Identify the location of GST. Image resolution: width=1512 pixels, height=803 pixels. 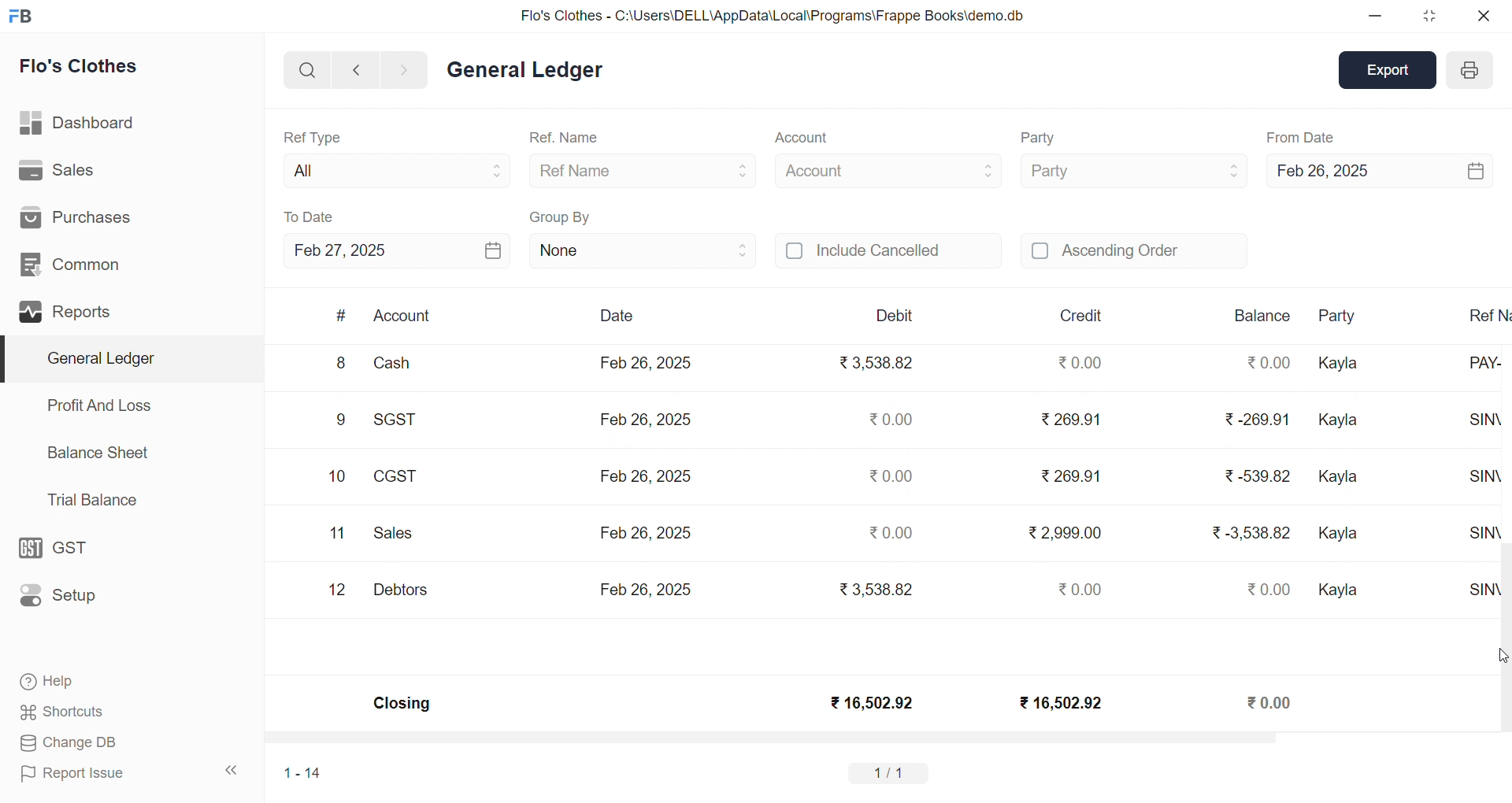
(61, 544).